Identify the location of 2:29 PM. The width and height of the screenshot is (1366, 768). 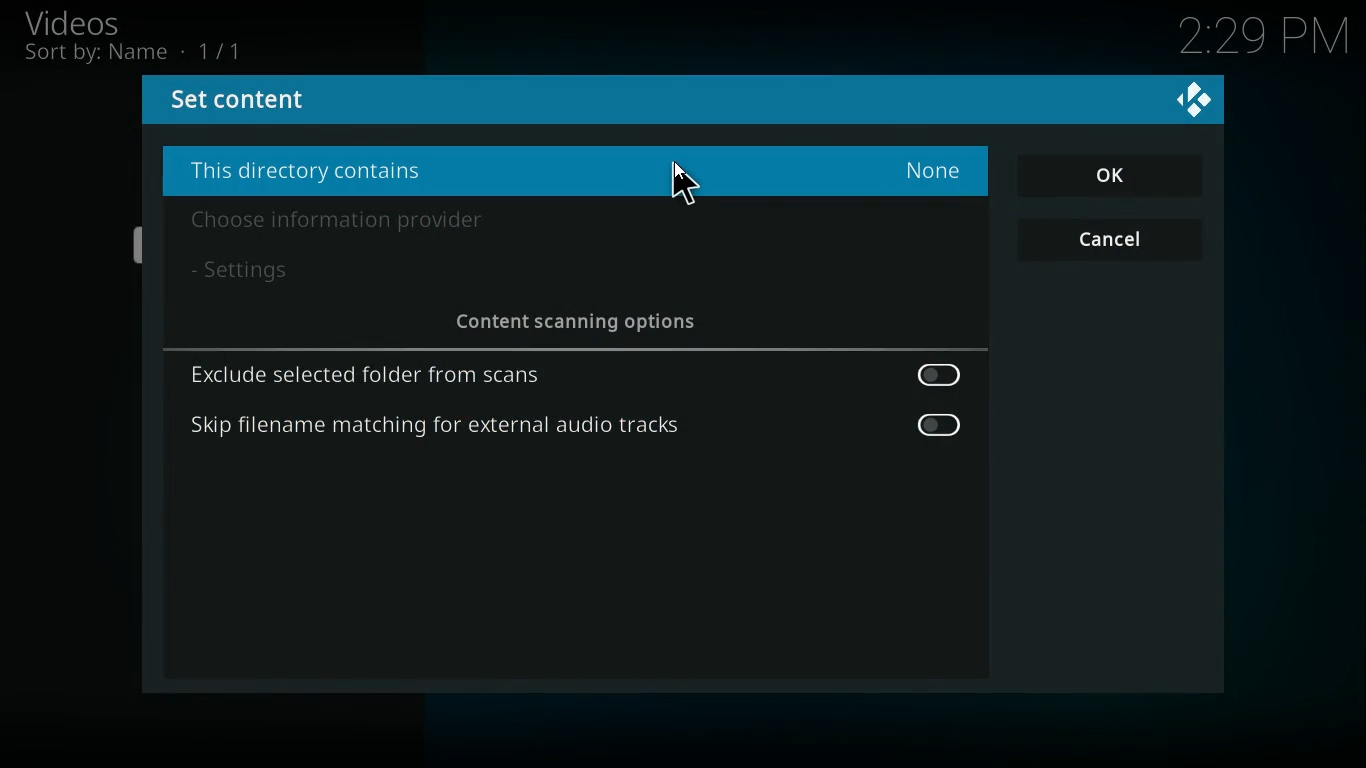
(1264, 41).